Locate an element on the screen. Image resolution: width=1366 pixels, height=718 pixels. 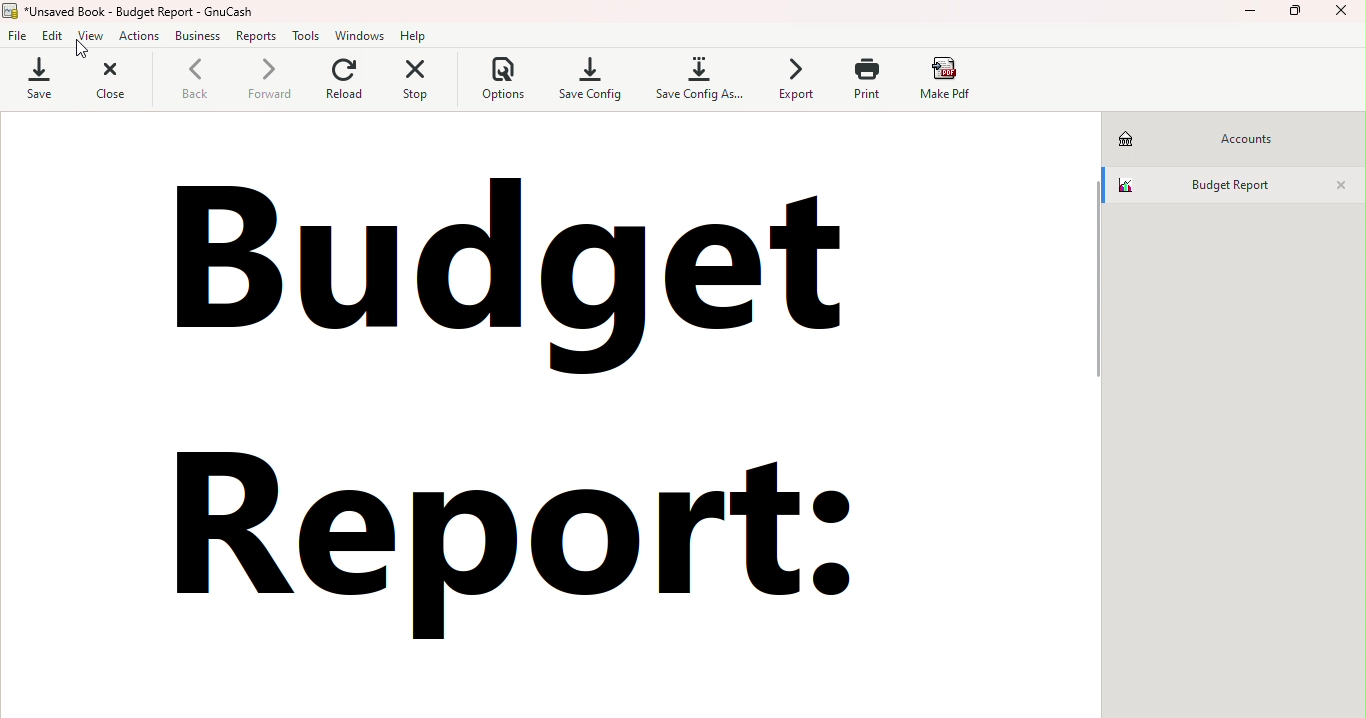
Options is located at coordinates (499, 81).